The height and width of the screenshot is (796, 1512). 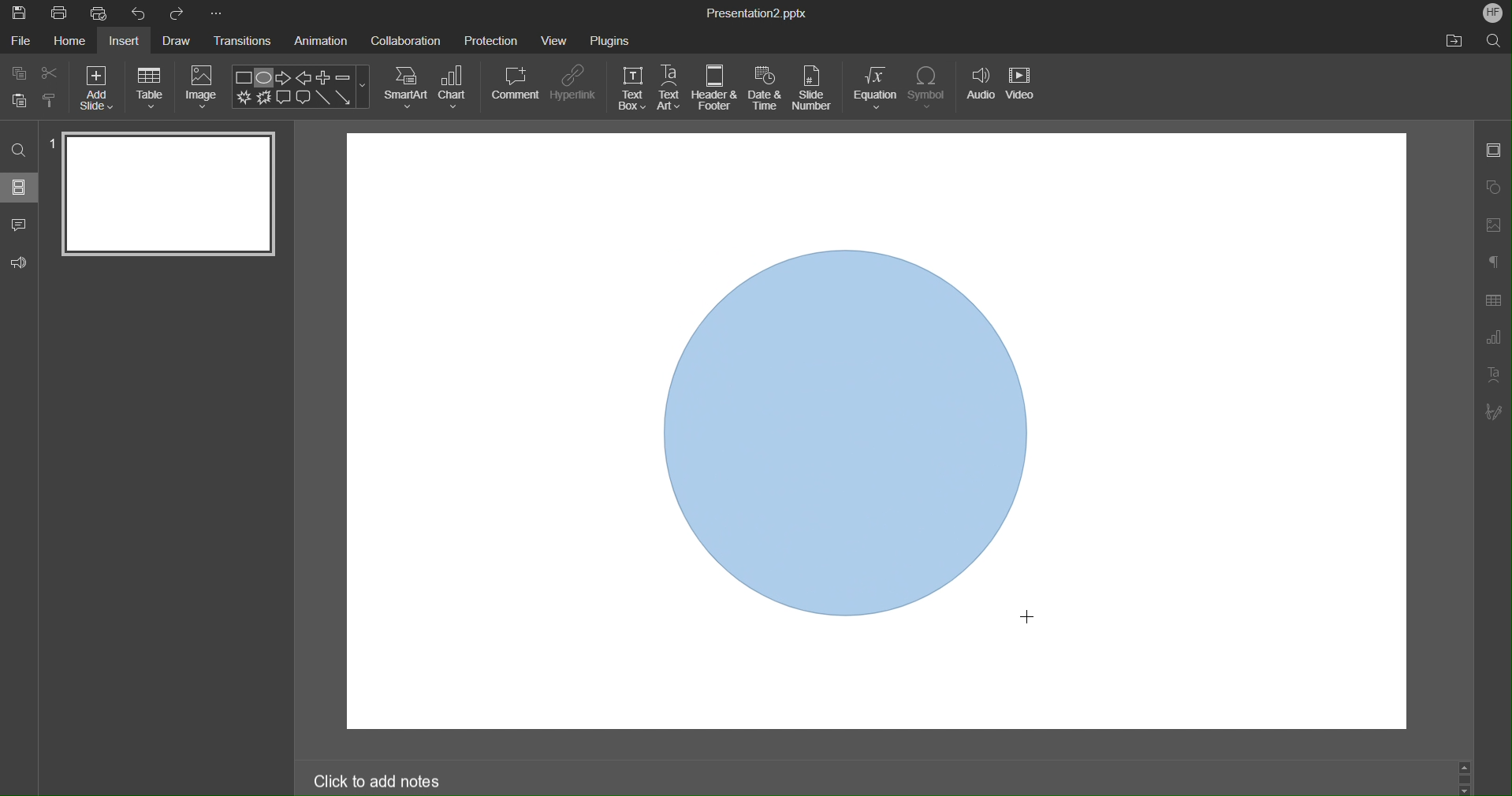 What do you see at coordinates (203, 87) in the screenshot?
I see `Image` at bounding box center [203, 87].